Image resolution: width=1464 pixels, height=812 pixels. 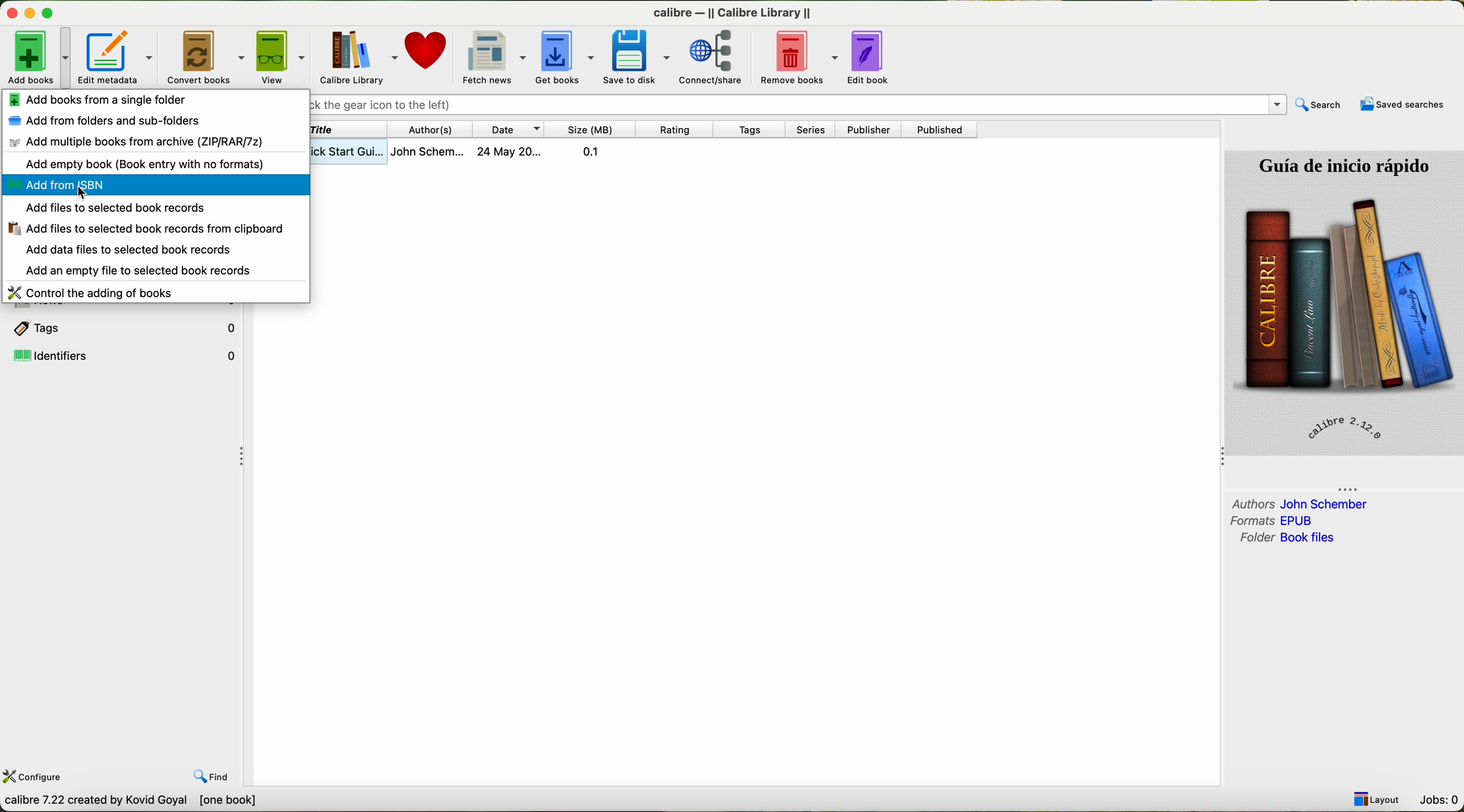 I want to click on connect/share, so click(x=710, y=59).